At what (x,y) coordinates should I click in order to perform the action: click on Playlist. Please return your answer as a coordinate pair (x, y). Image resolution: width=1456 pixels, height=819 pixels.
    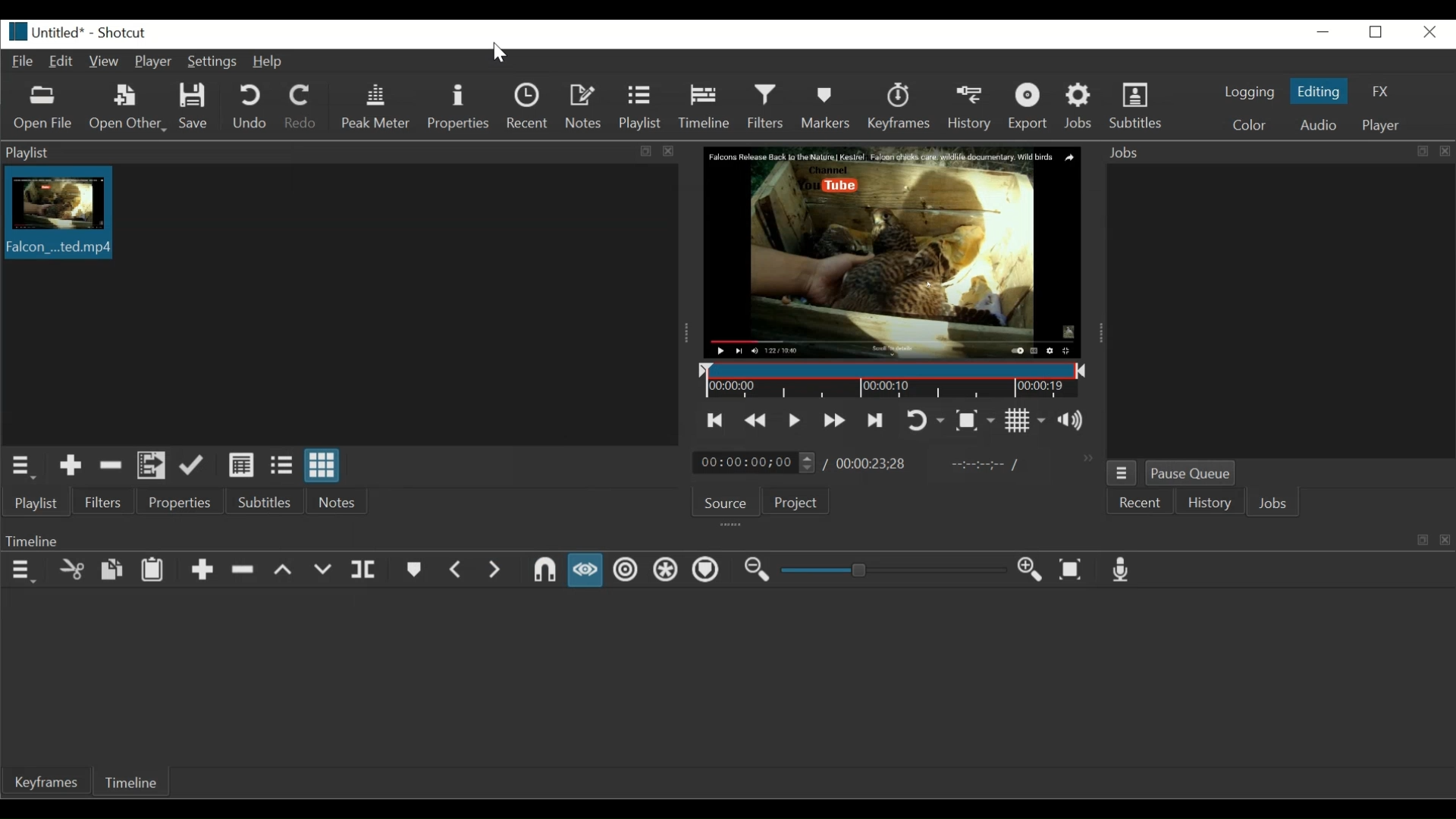
    Looking at the image, I should click on (641, 108).